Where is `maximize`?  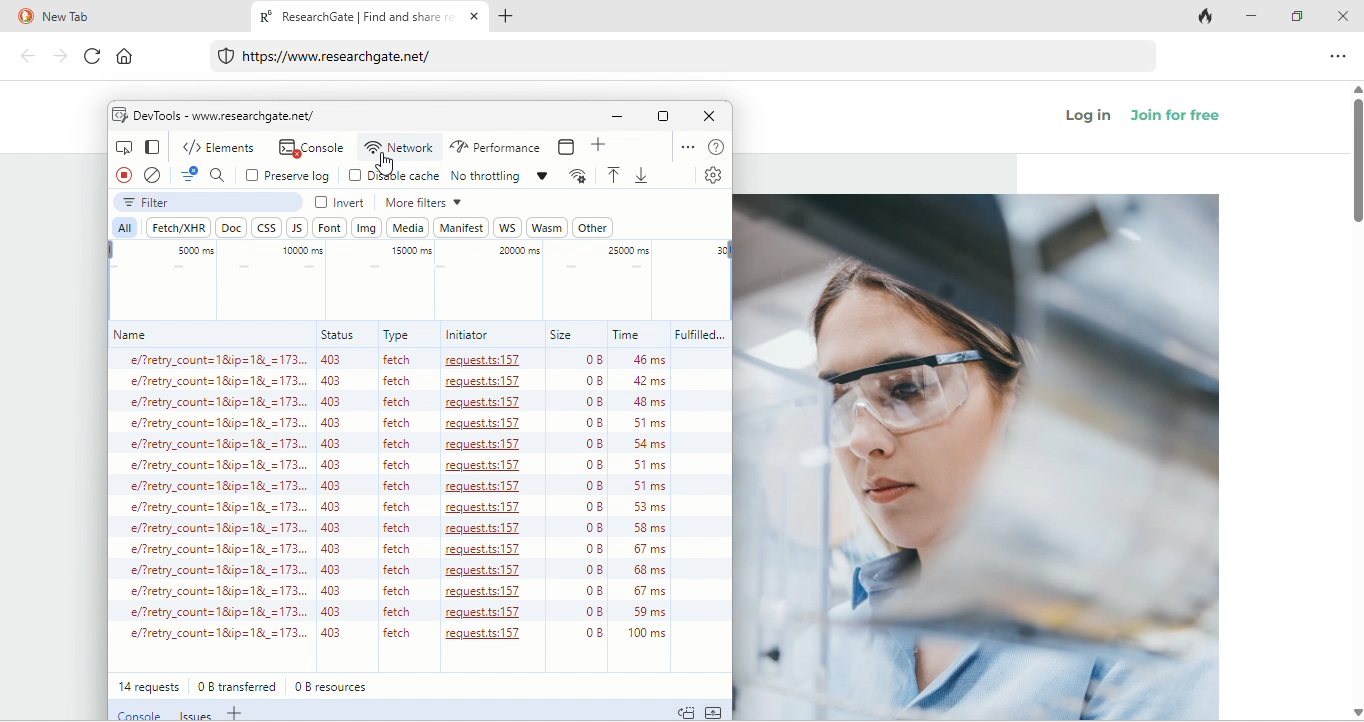 maximize is located at coordinates (663, 116).